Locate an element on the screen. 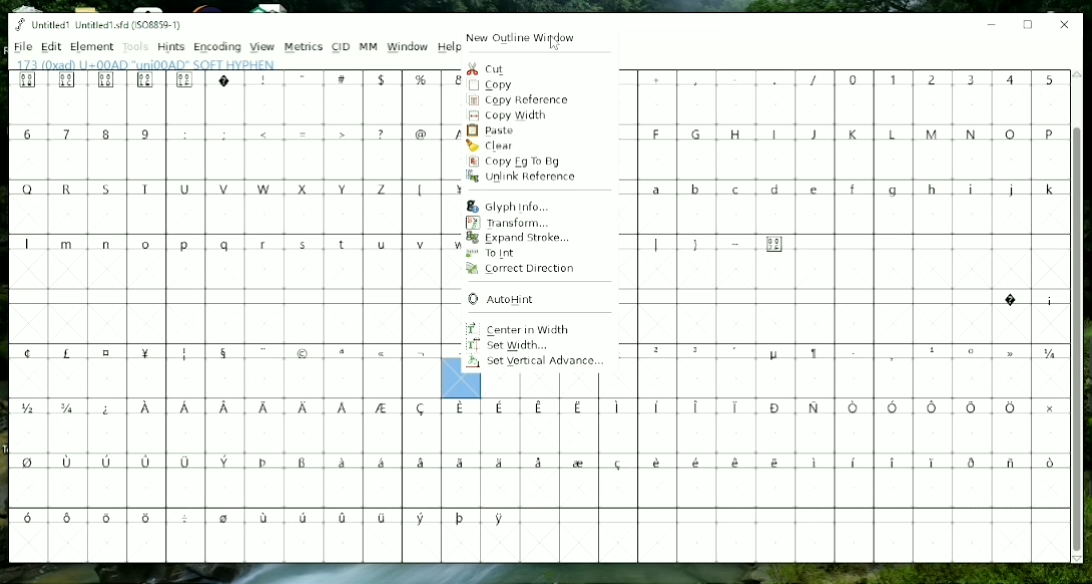 This screenshot has height=584, width=1092. AutoHint is located at coordinates (500, 299).